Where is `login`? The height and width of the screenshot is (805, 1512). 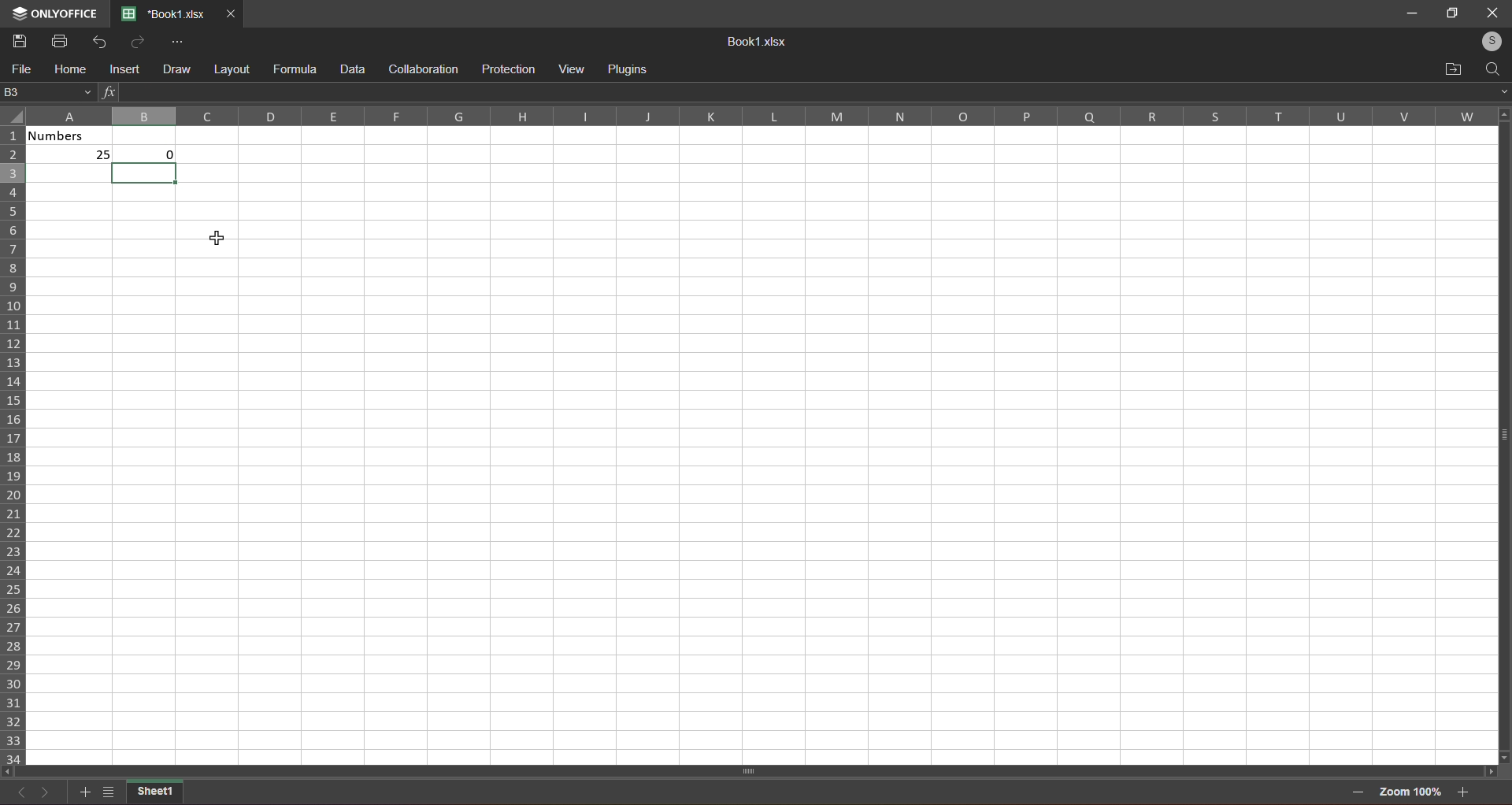
login is located at coordinates (1488, 39).